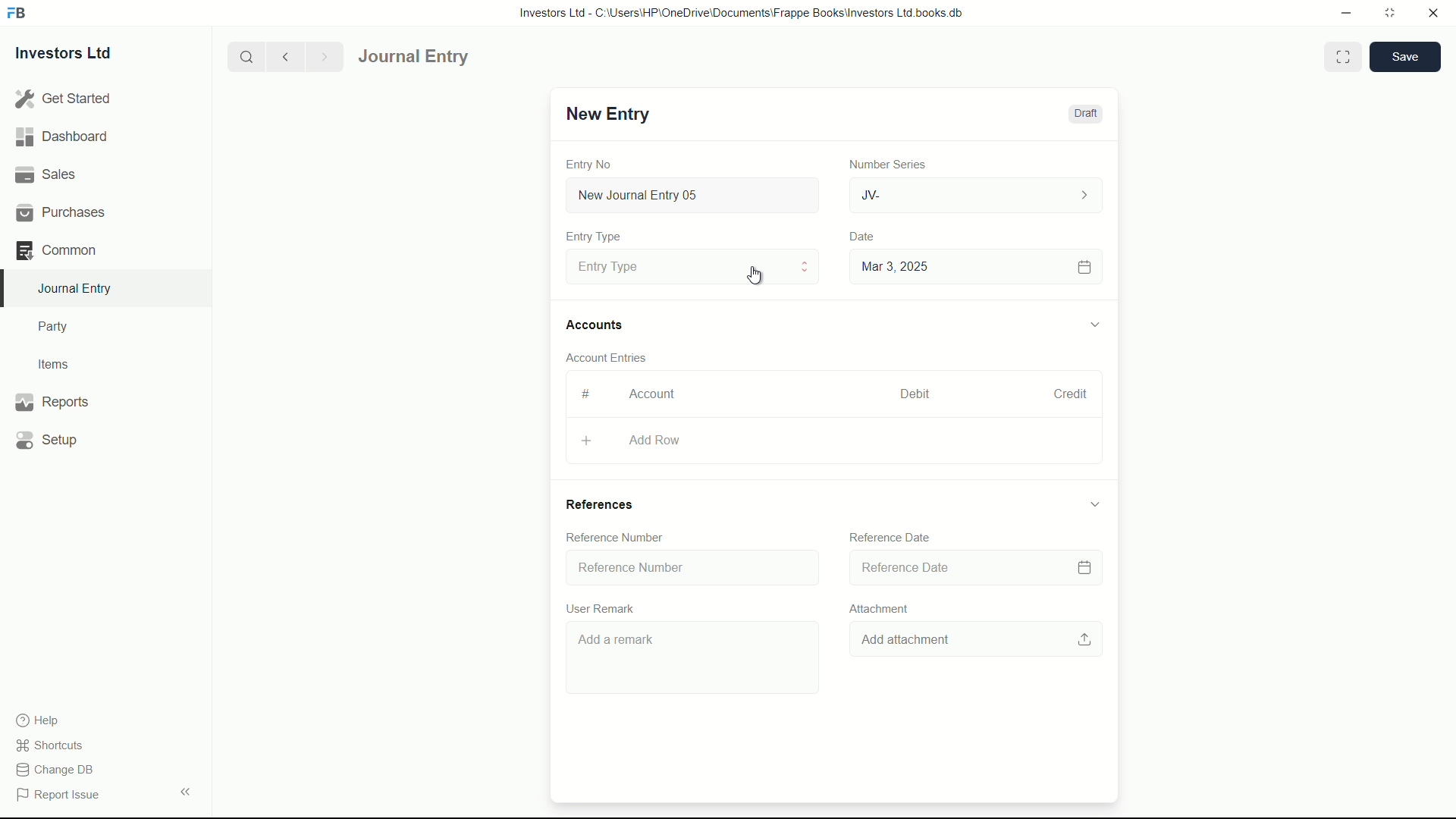  Describe the element at coordinates (17, 14) in the screenshot. I see `FrappeBooks logo` at that location.